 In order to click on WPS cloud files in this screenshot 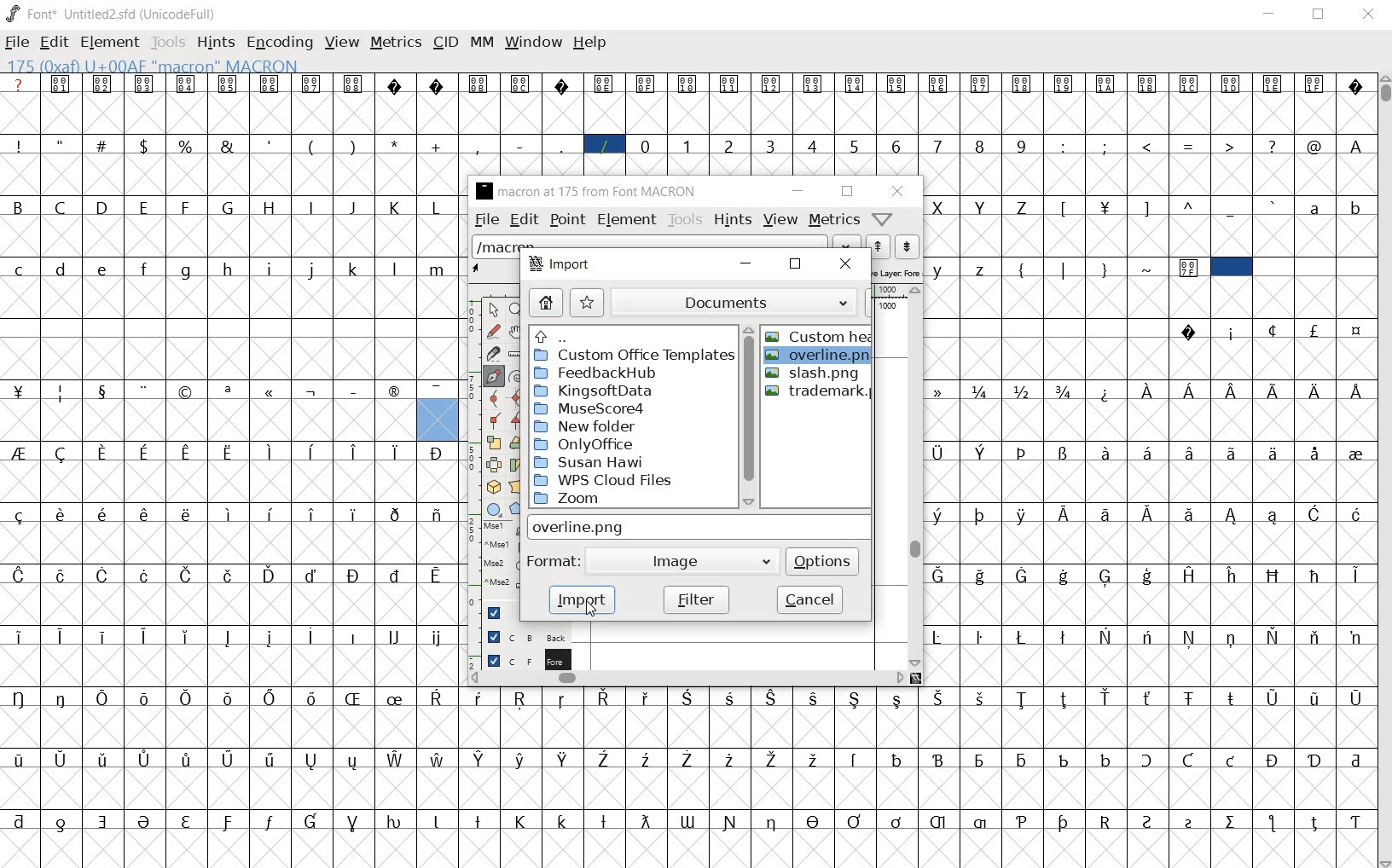, I will do `click(624, 481)`.